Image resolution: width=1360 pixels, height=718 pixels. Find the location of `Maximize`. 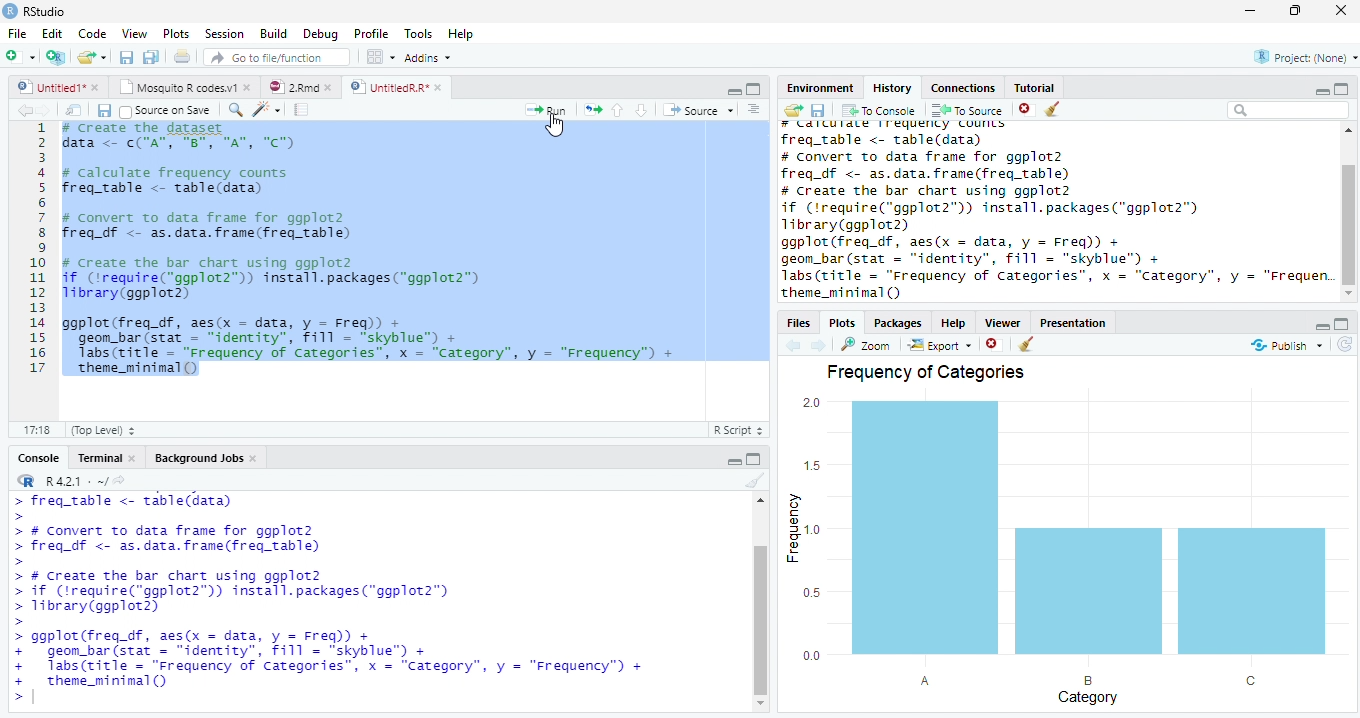

Maximize is located at coordinates (1297, 13).